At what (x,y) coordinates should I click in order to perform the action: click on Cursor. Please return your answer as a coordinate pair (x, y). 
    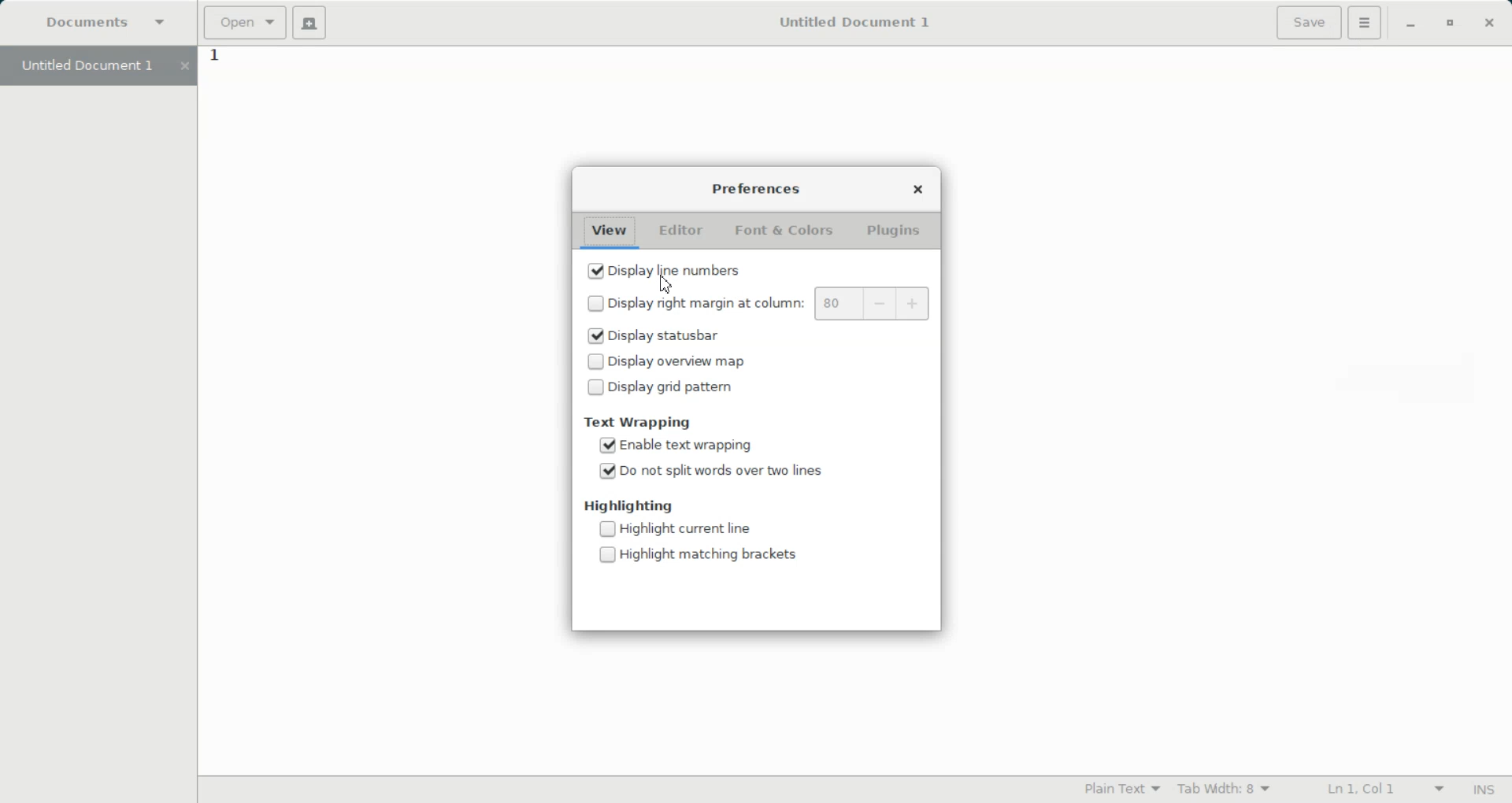
    Looking at the image, I should click on (668, 287).